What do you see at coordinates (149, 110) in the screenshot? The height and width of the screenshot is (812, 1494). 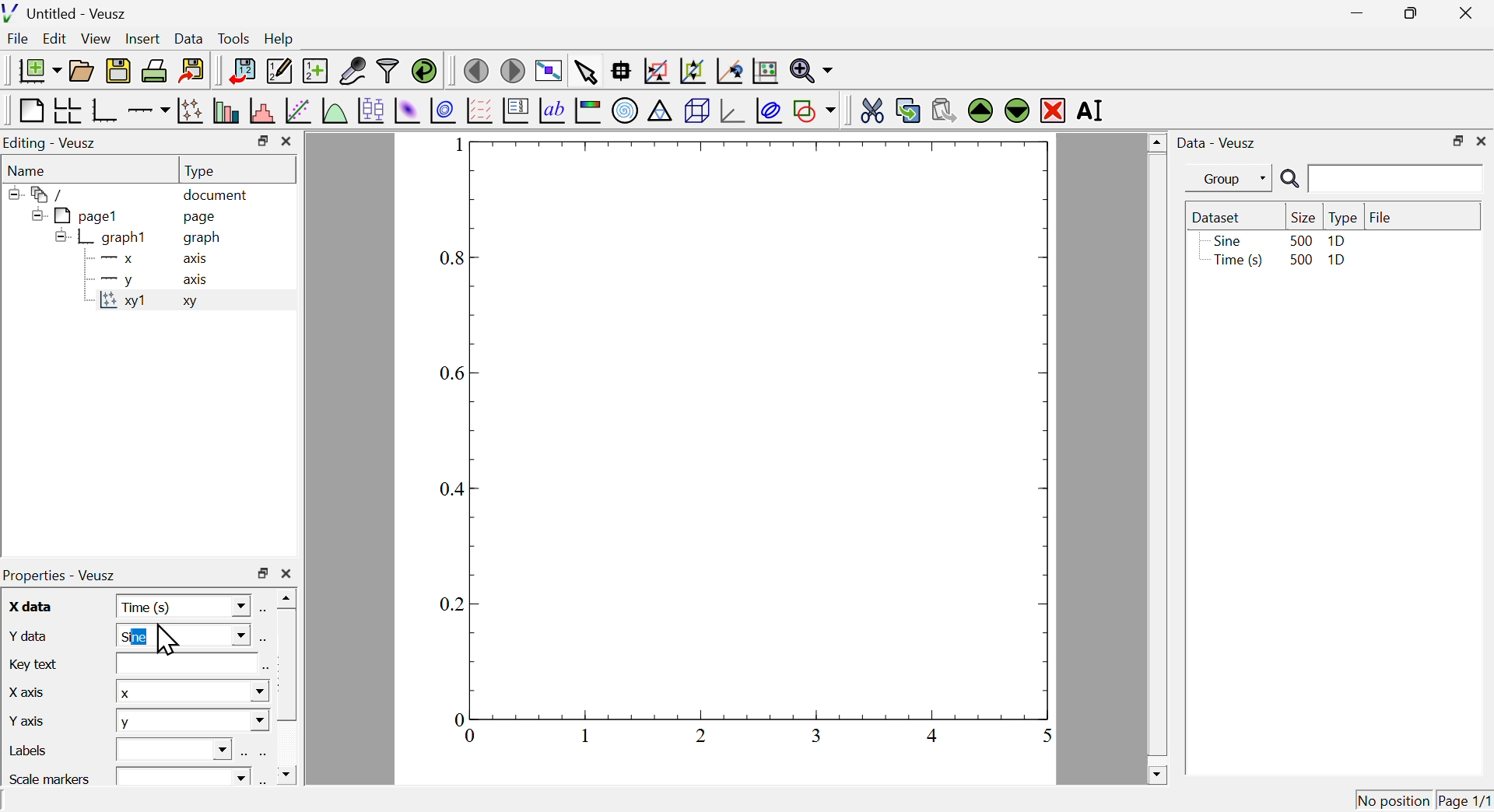 I see `add an axis to the plot` at bounding box center [149, 110].